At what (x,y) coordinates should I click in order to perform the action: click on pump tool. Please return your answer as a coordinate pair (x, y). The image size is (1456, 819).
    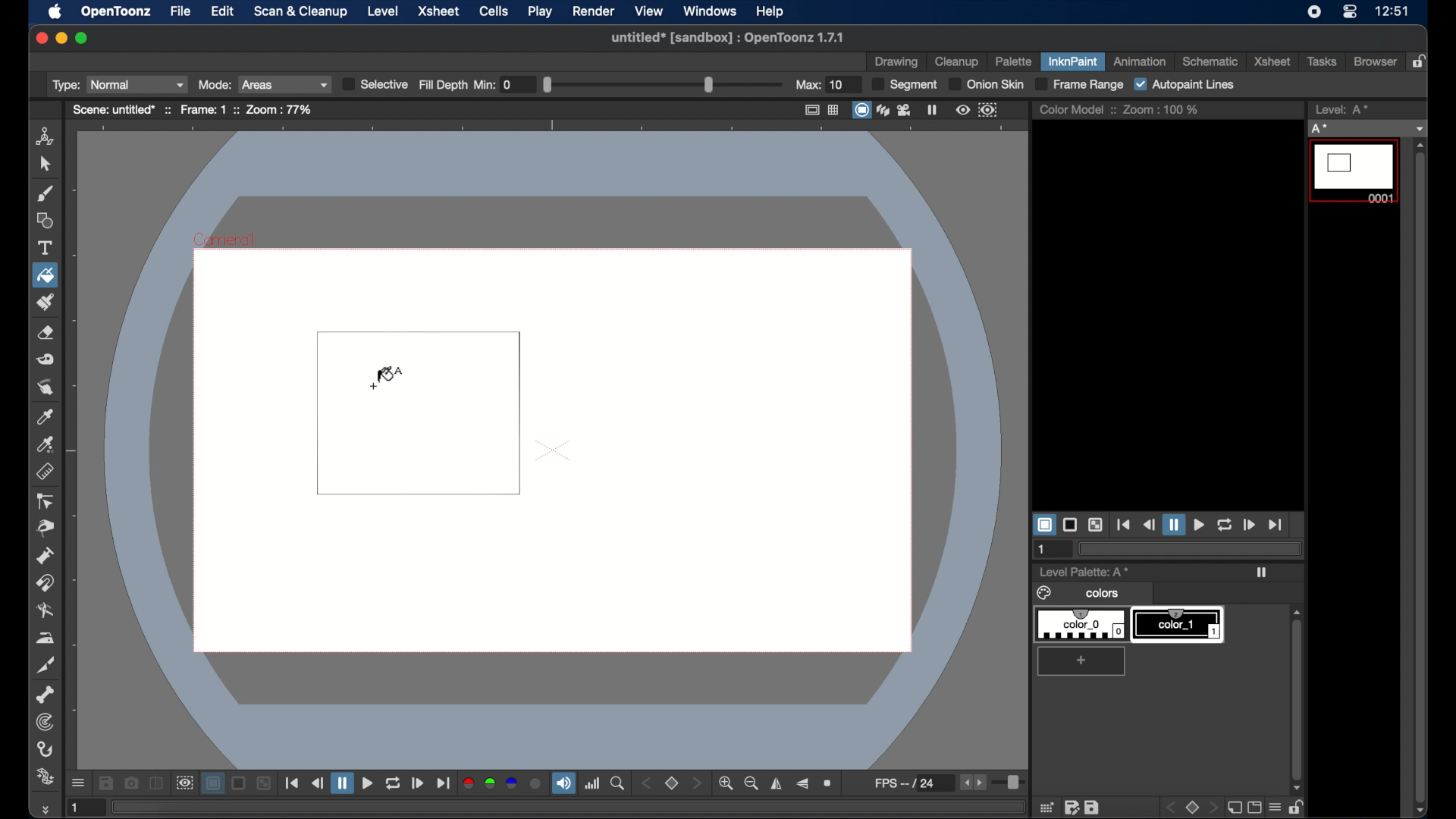
    Looking at the image, I should click on (45, 556).